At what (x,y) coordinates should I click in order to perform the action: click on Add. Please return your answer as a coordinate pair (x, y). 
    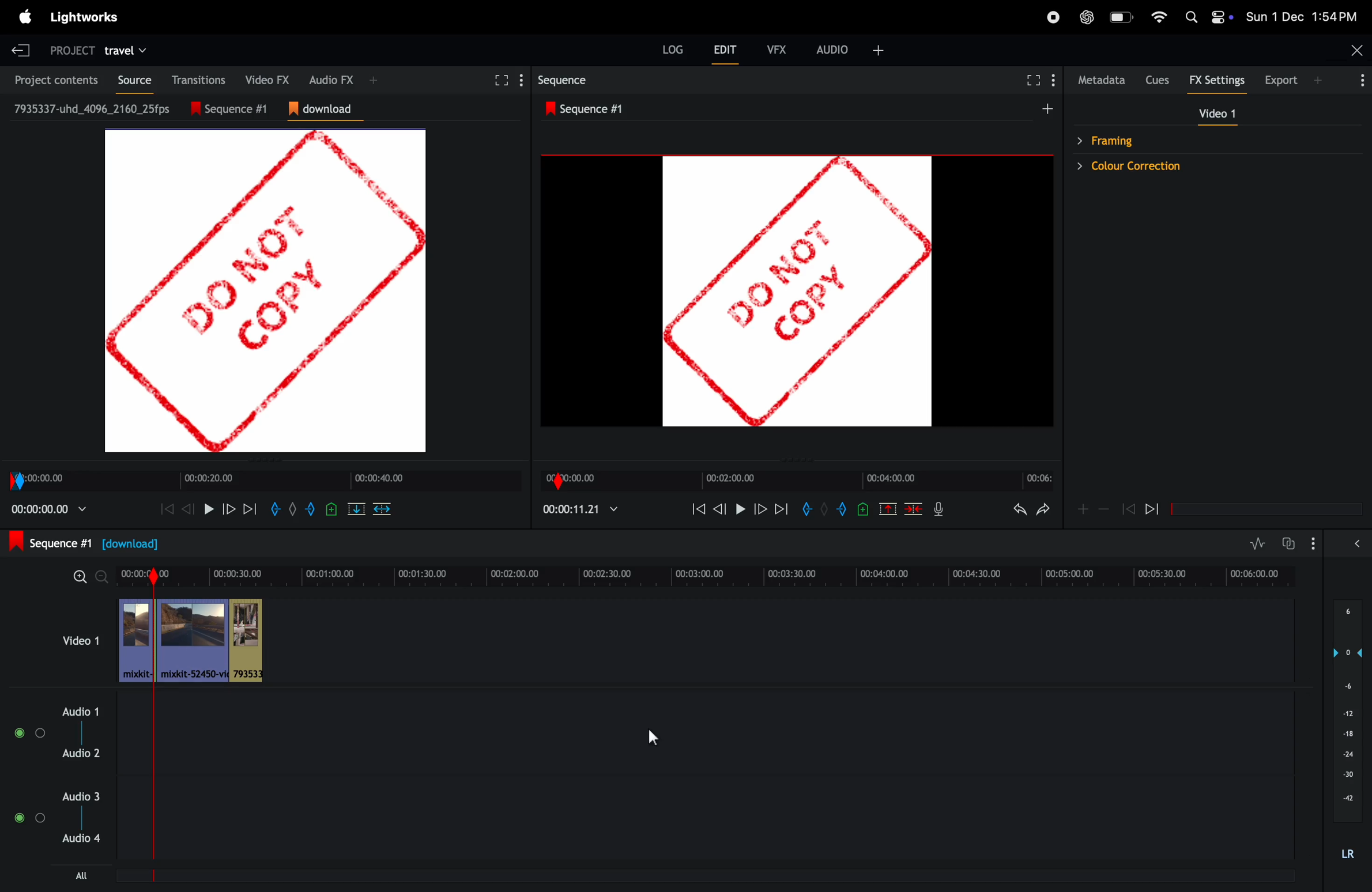
    Looking at the image, I should click on (1083, 509).